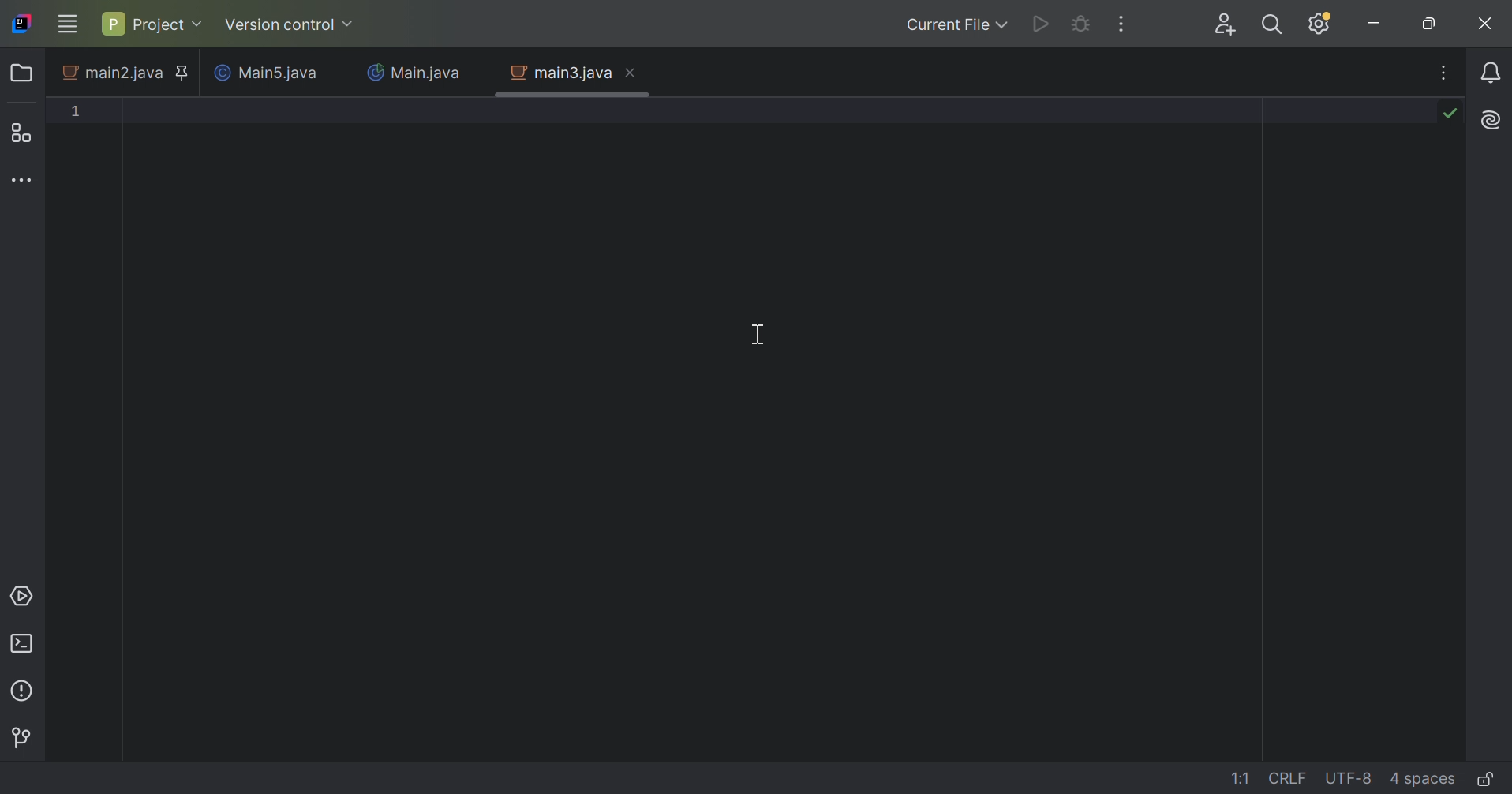  What do you see at coordinates (1491, 122) in the screenshot?
I see `AI Assistant` at bounding box center [1491, 122].